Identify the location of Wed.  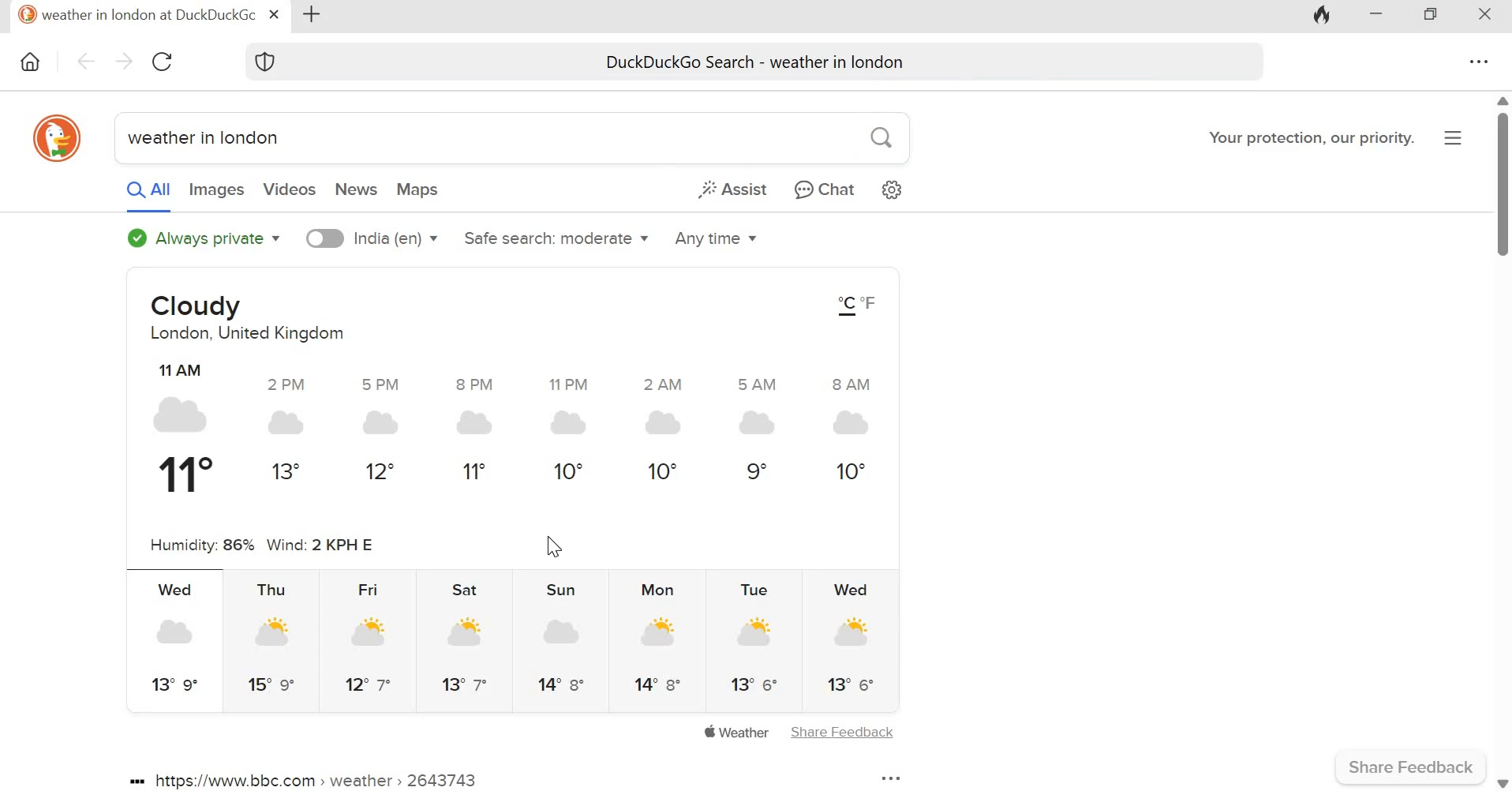
(851, 590).